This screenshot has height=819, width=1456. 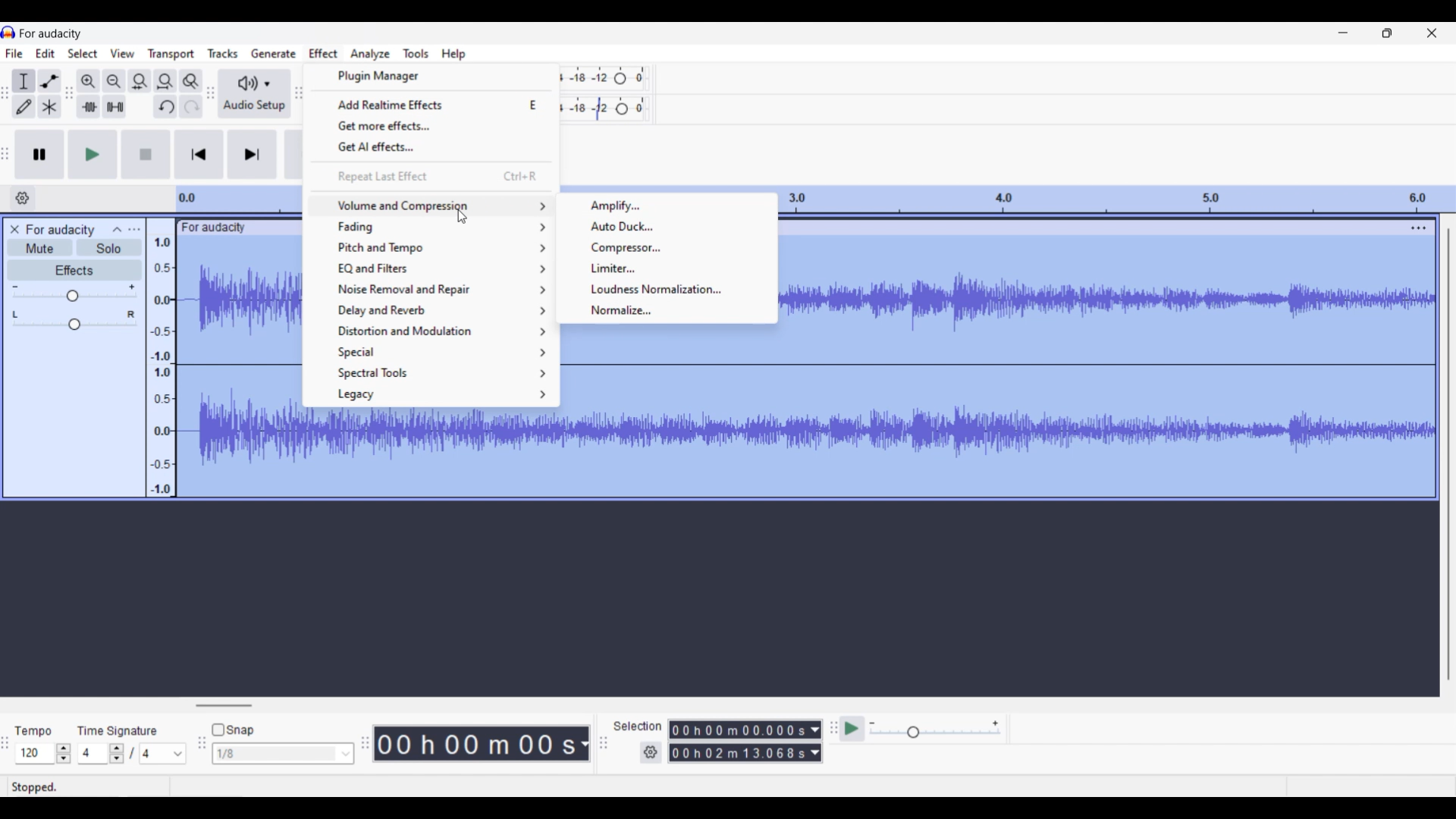 What do you see at coordinates (454, 55) in the screenshot?
I see `Help menu` at bounding box center [454, 55].